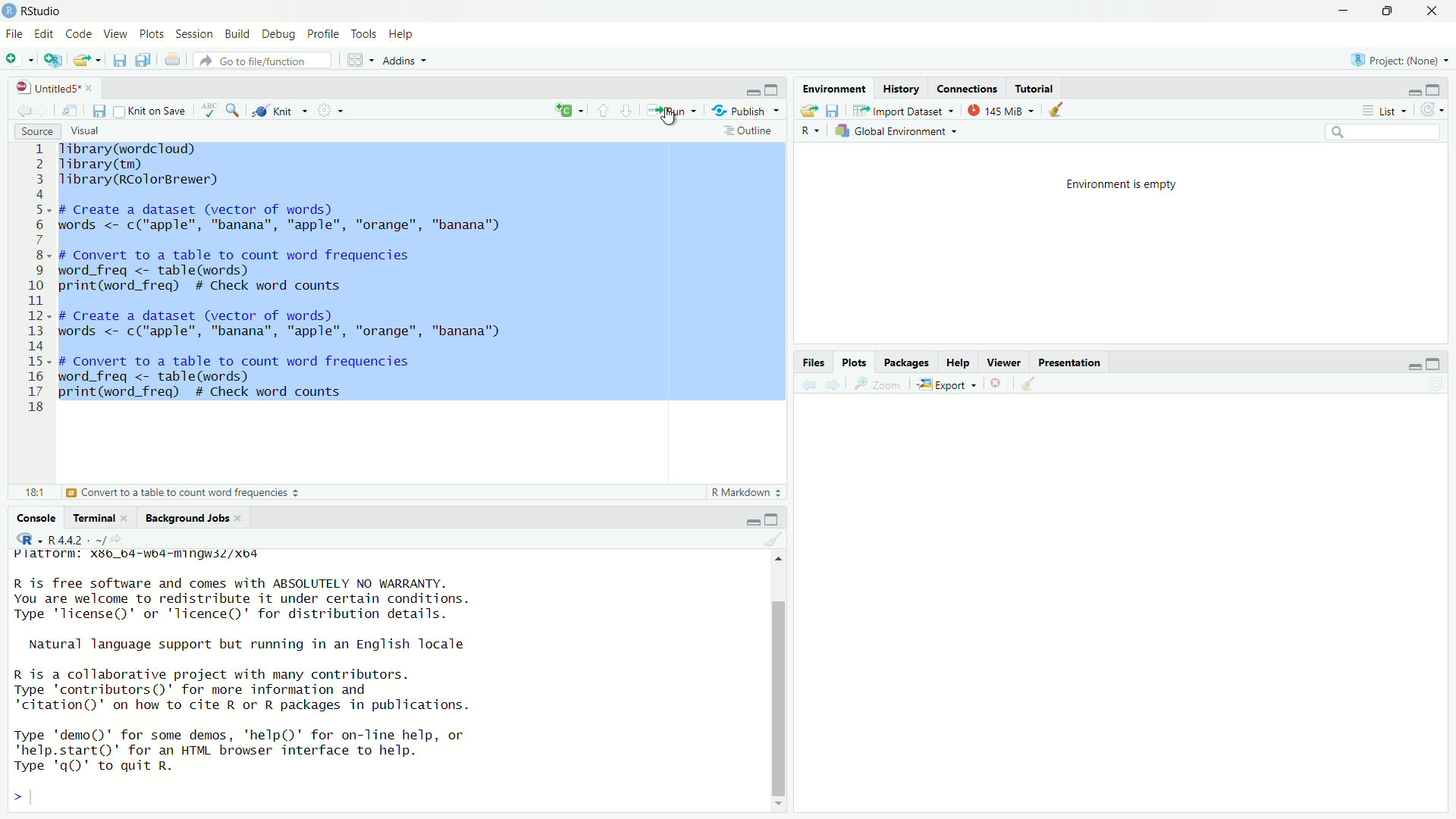  Describe the element at coordinates (1410, 369) in the screenshot. I see `Minimize` at that location.